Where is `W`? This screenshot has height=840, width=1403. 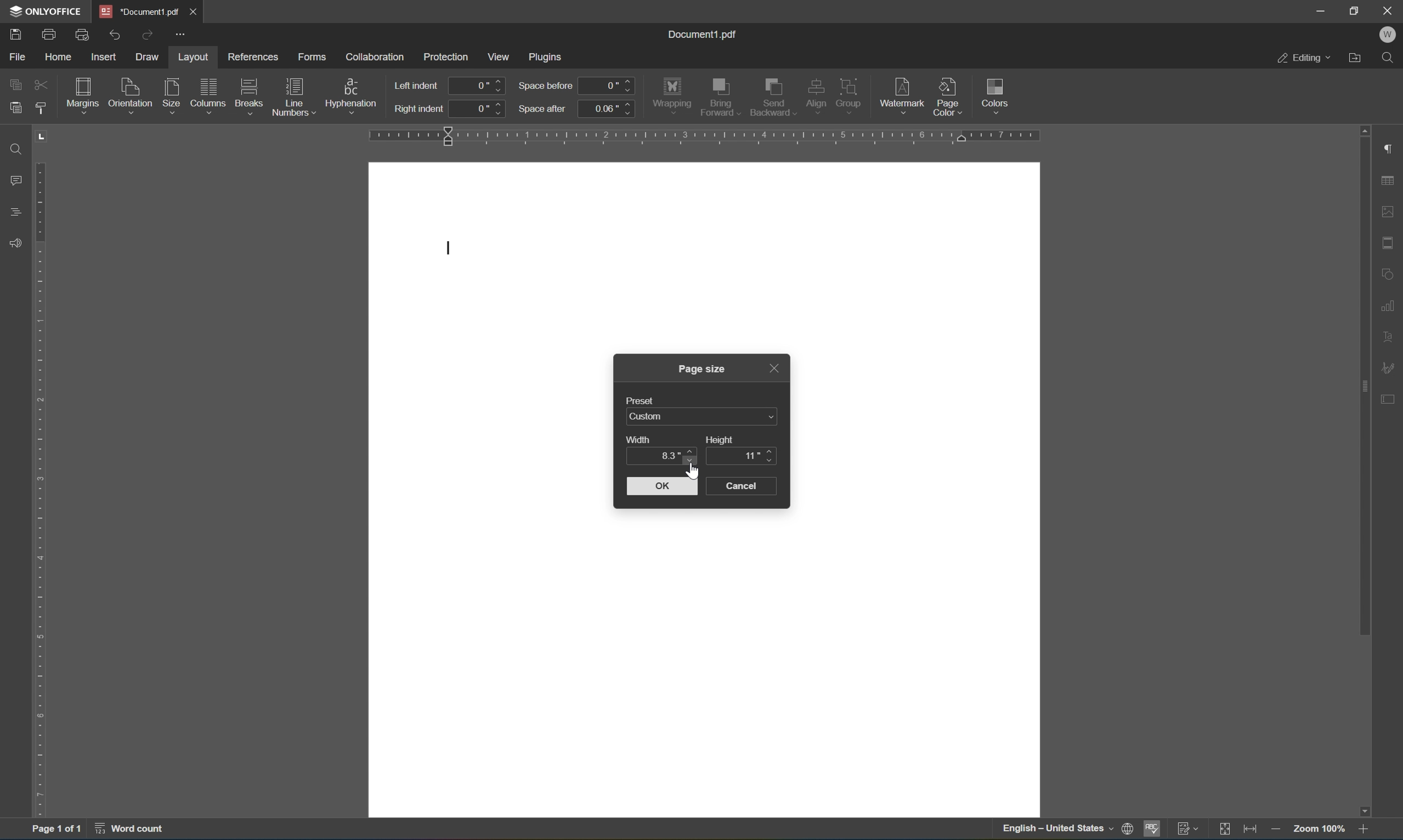
W is located at coordinates (1387, 34).